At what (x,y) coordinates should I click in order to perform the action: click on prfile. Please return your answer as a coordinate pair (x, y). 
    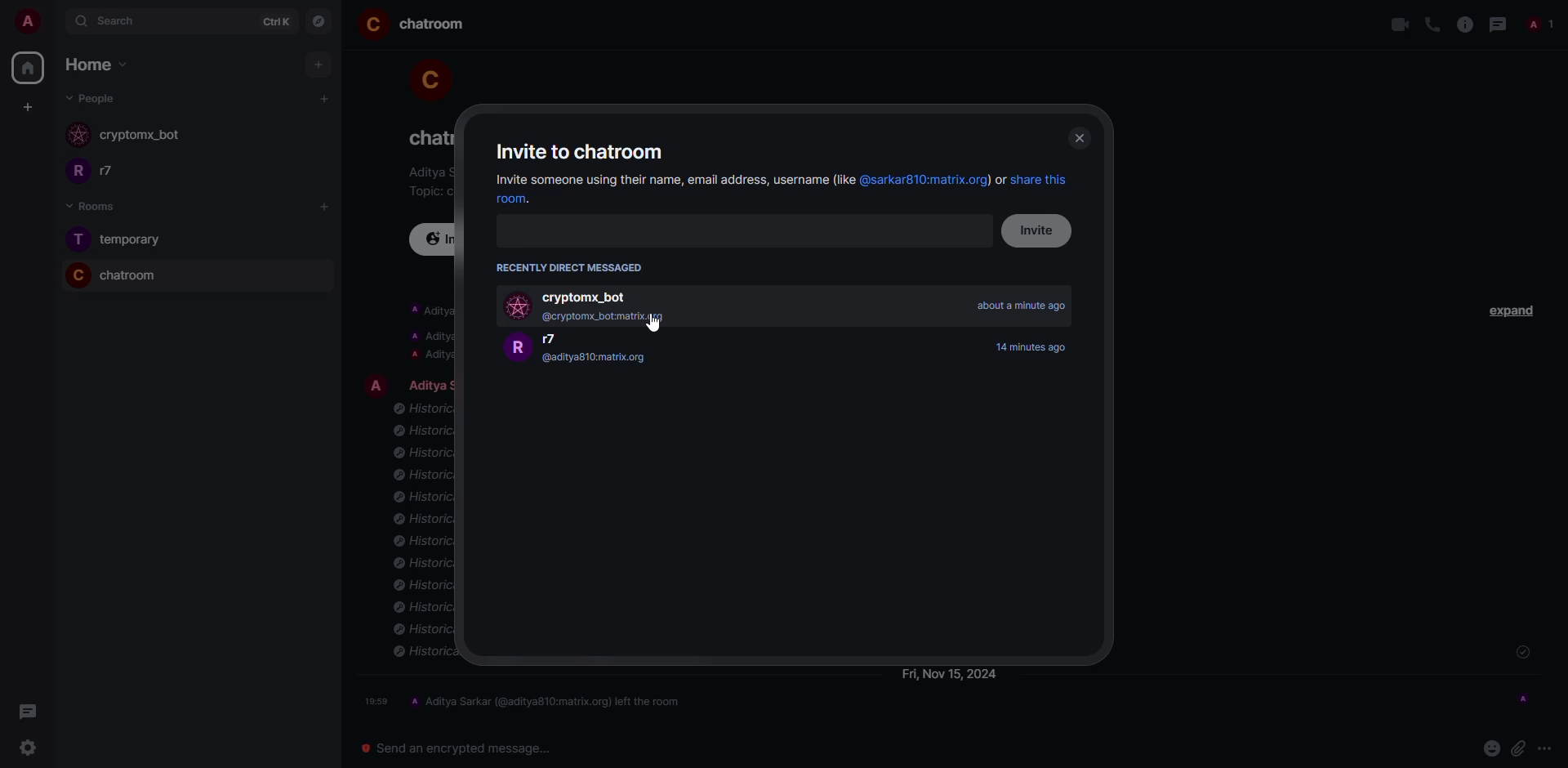
    Looking at the image, I should click on (517, 348).